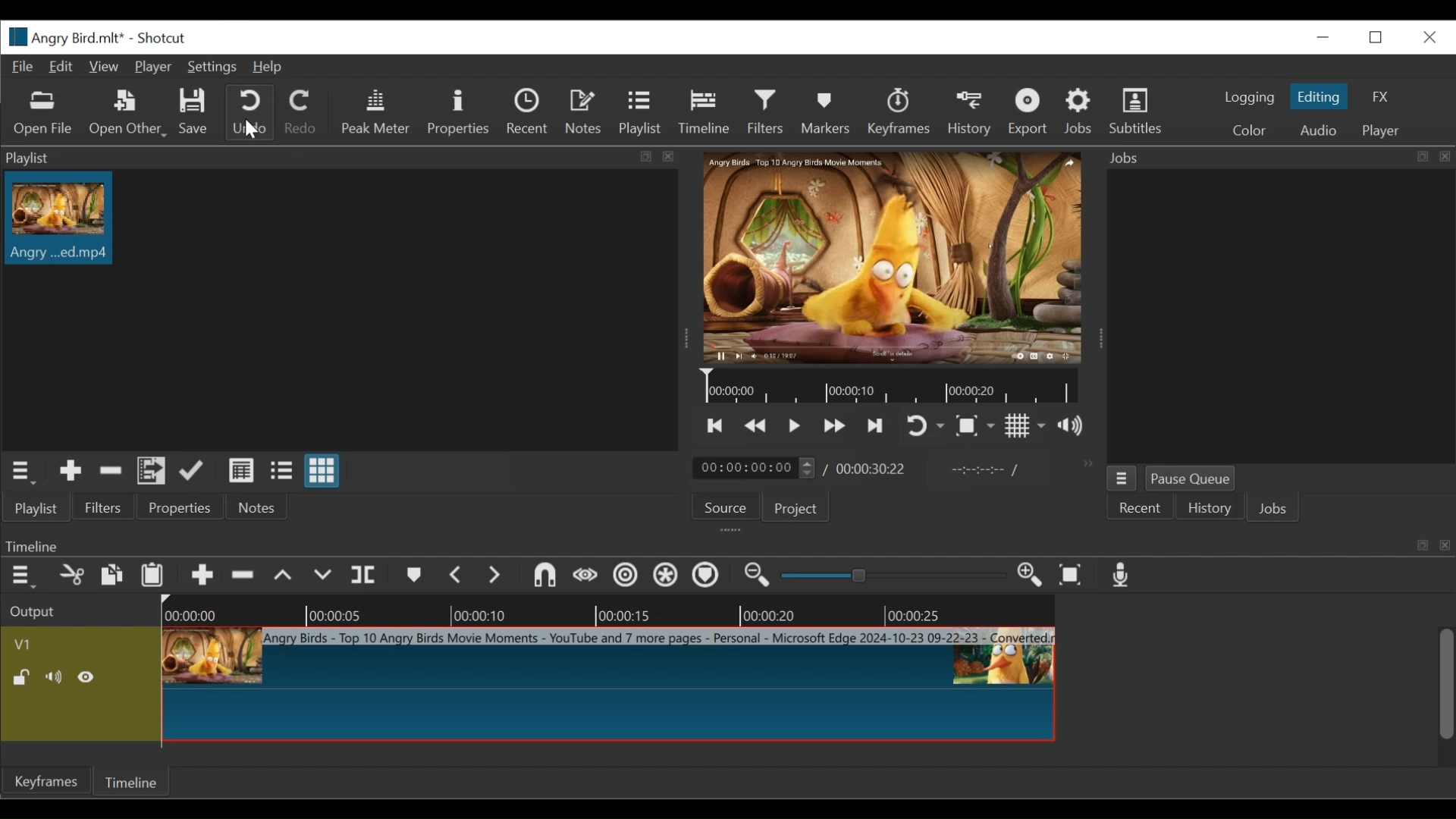  What do you see at coordinates (343, 157) in the screenshot?
I see `Playlist Panel` at bounding box center [343, 157].